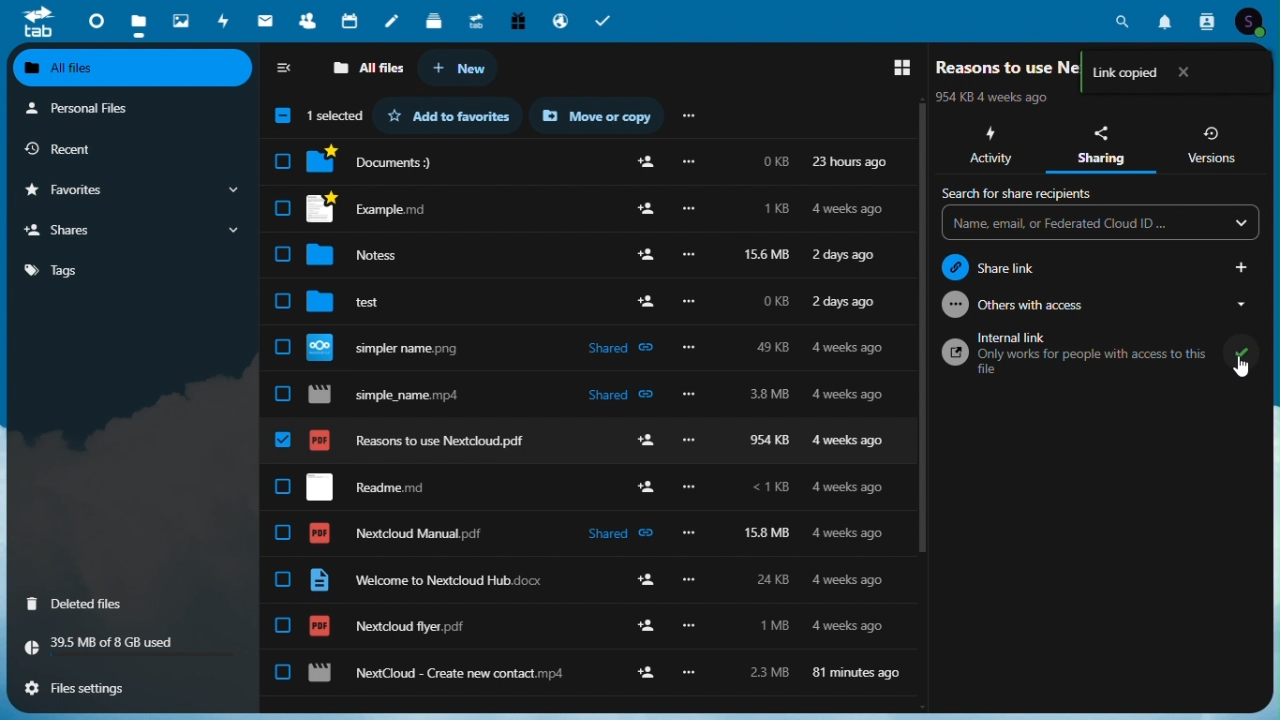 The width and height of the screenshot is (1280, 720). What do you see at coordinates (639, 303) in the screenshot?
I see `` at bounding box center [639, 303].